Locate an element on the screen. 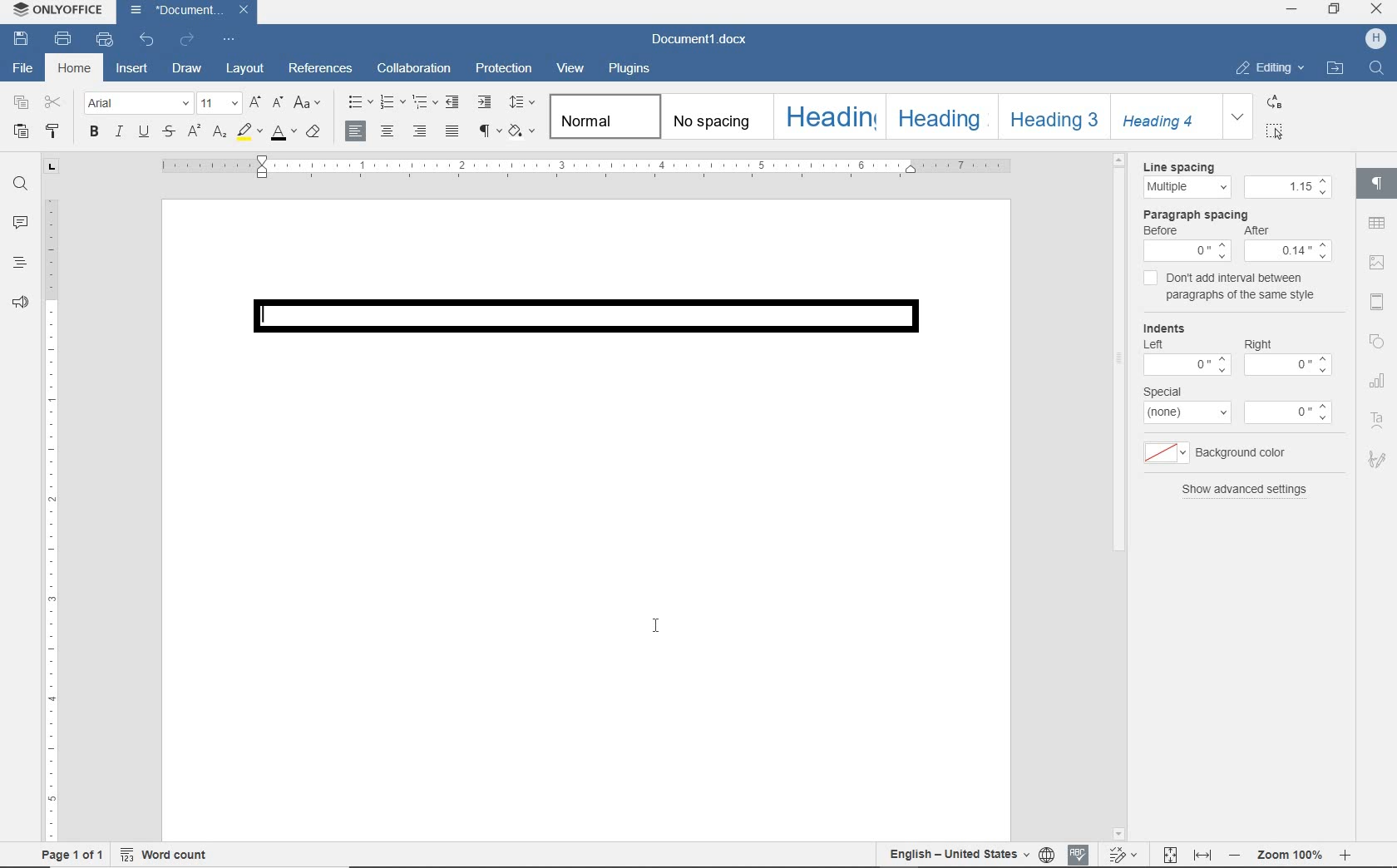 Image resolution: width=1397 pixels, height=868 pixels. numbering is located at coordinates (392, 103).